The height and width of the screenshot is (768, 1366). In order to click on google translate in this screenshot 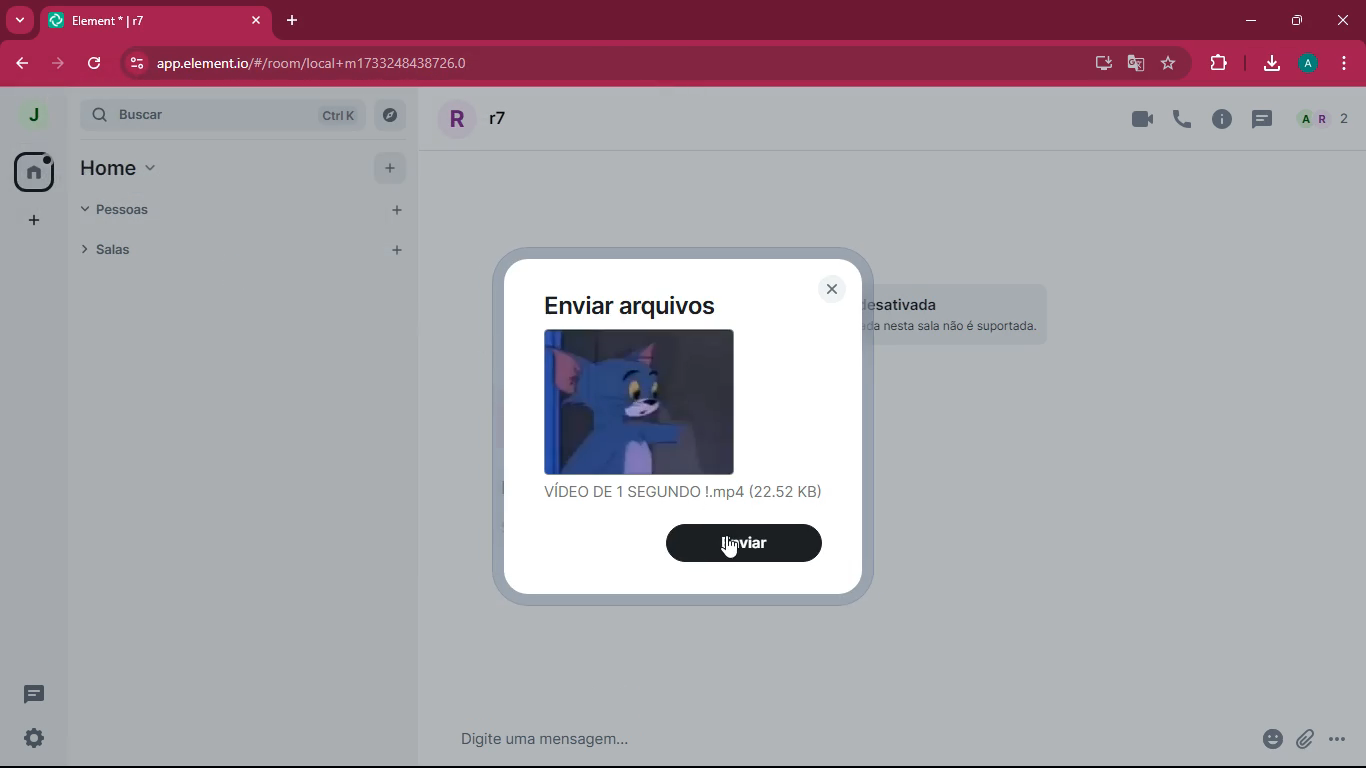, I will do `click(1135, 64)`.